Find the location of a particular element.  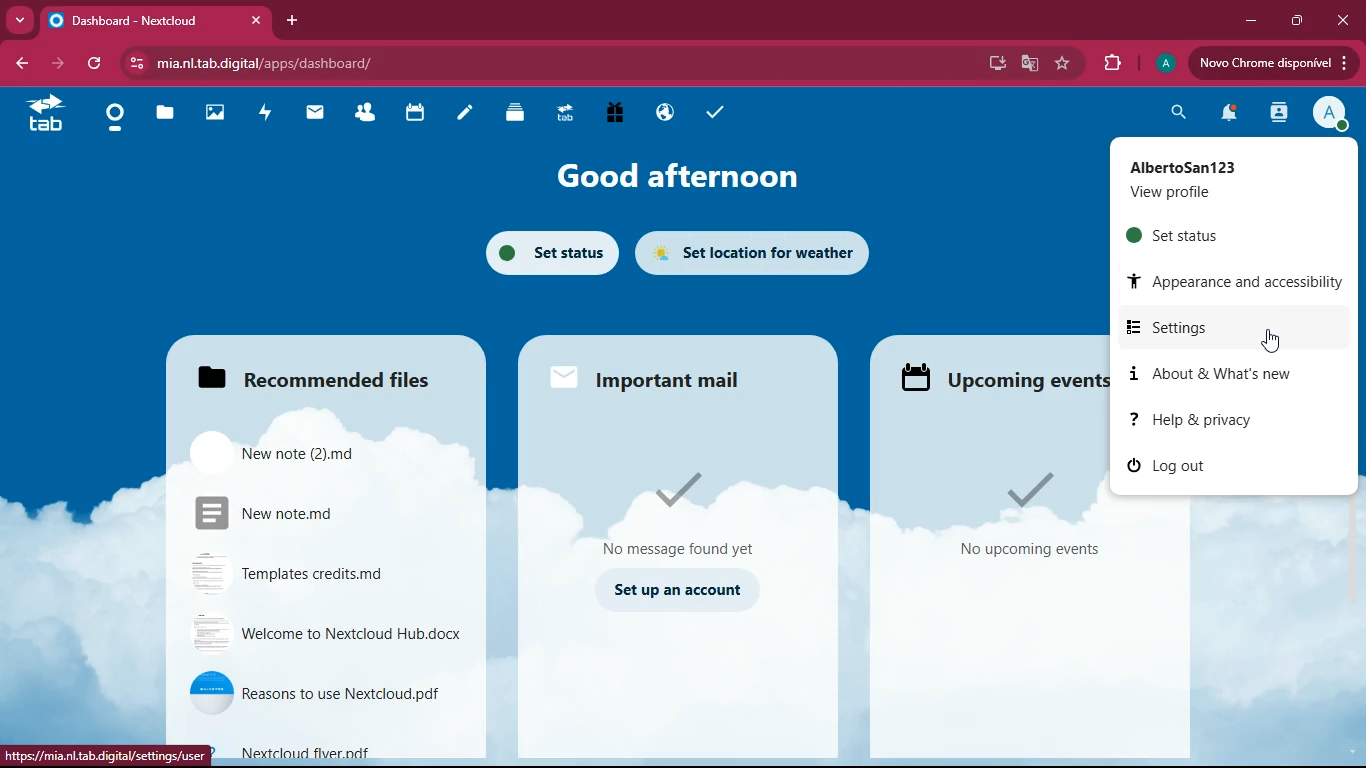

activity is located at coordinates (1281, 112).